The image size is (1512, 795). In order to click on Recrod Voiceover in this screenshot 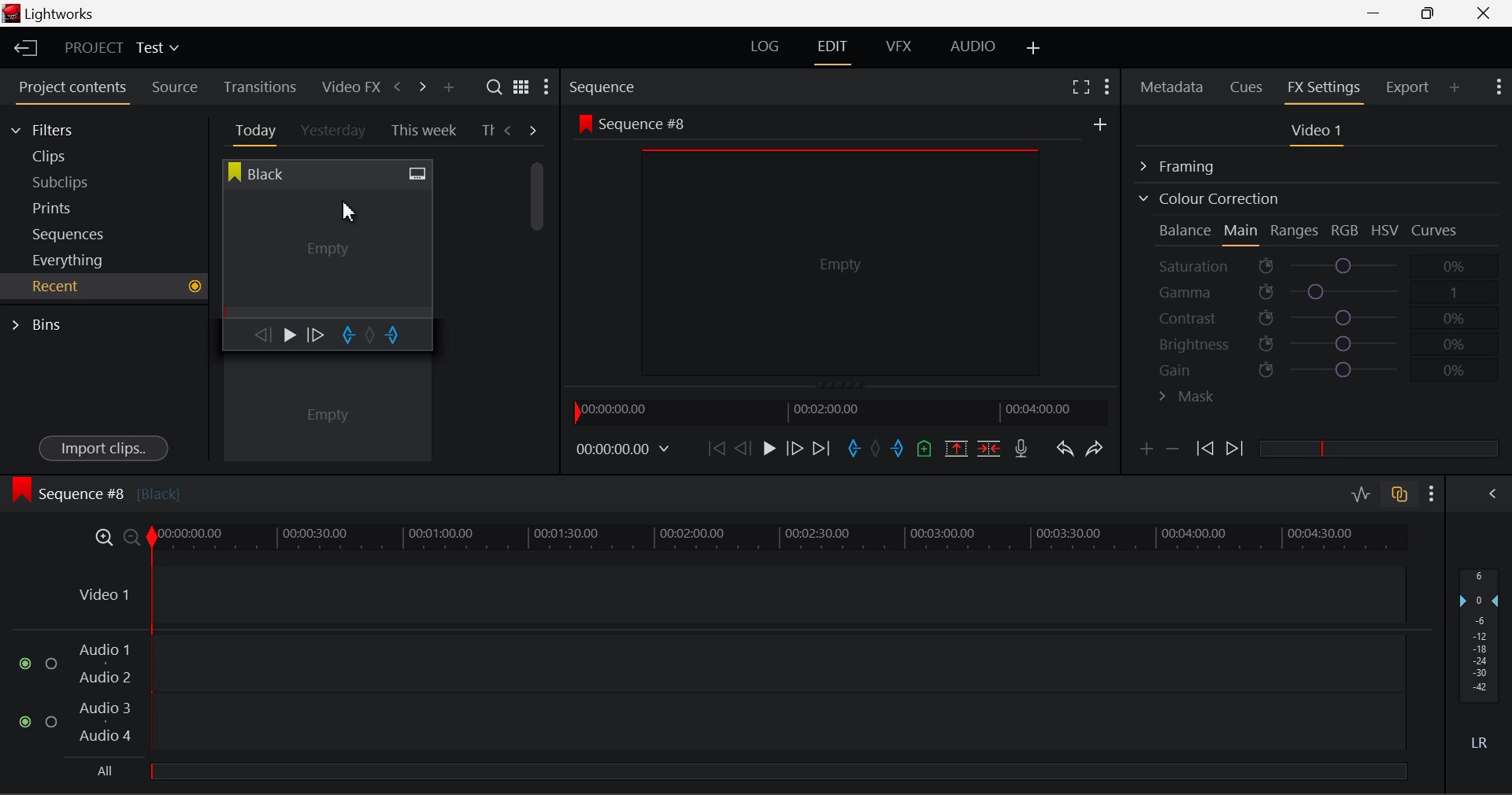, I will do `click(1021, 448)`.